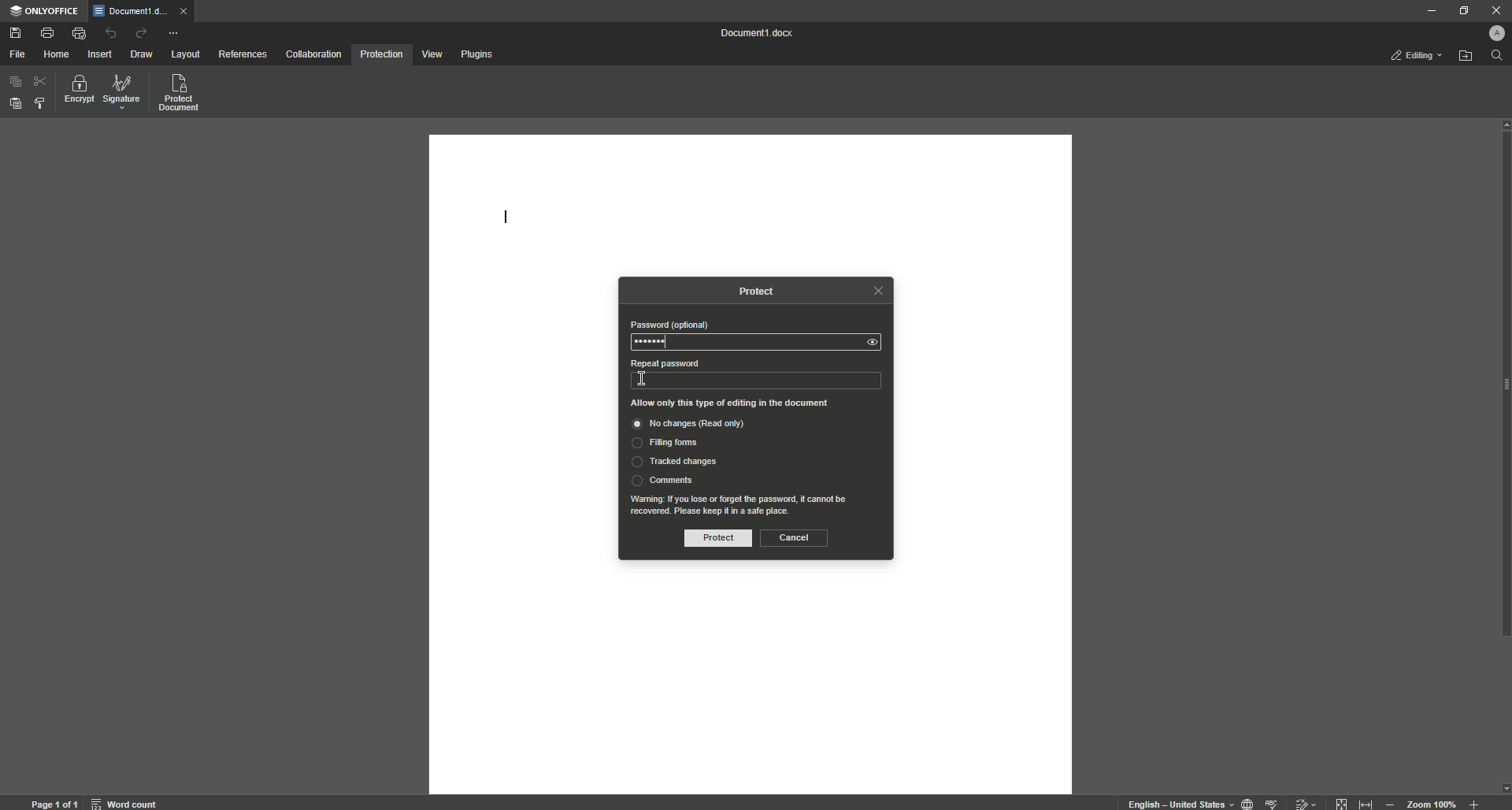  Describe the element at coordinates (1498, 56) in the screenshot. I see `search` at that location.